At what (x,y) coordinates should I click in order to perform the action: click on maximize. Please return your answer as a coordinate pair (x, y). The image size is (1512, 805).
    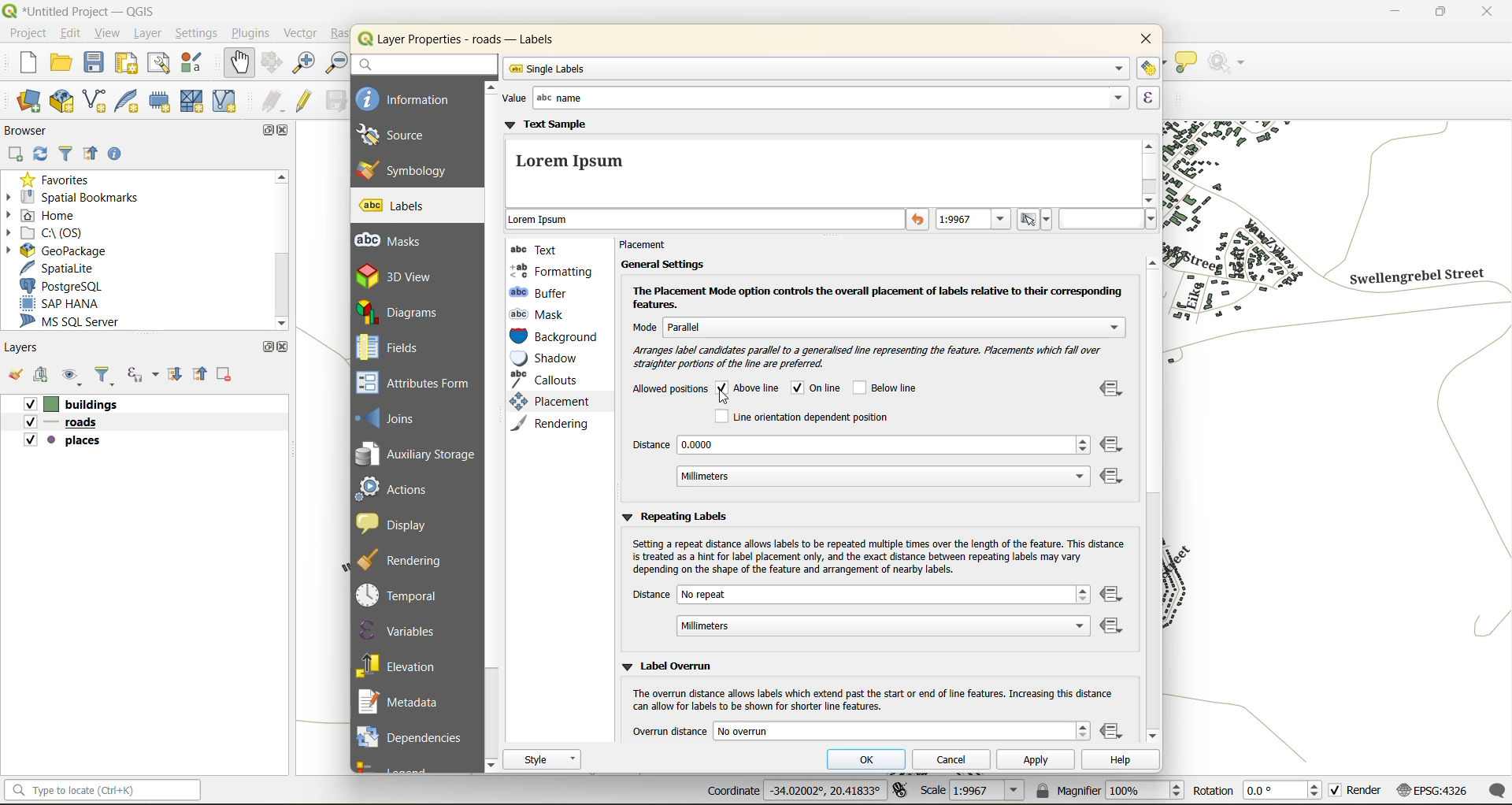
    Looking at the image, I should click on (265, 347).